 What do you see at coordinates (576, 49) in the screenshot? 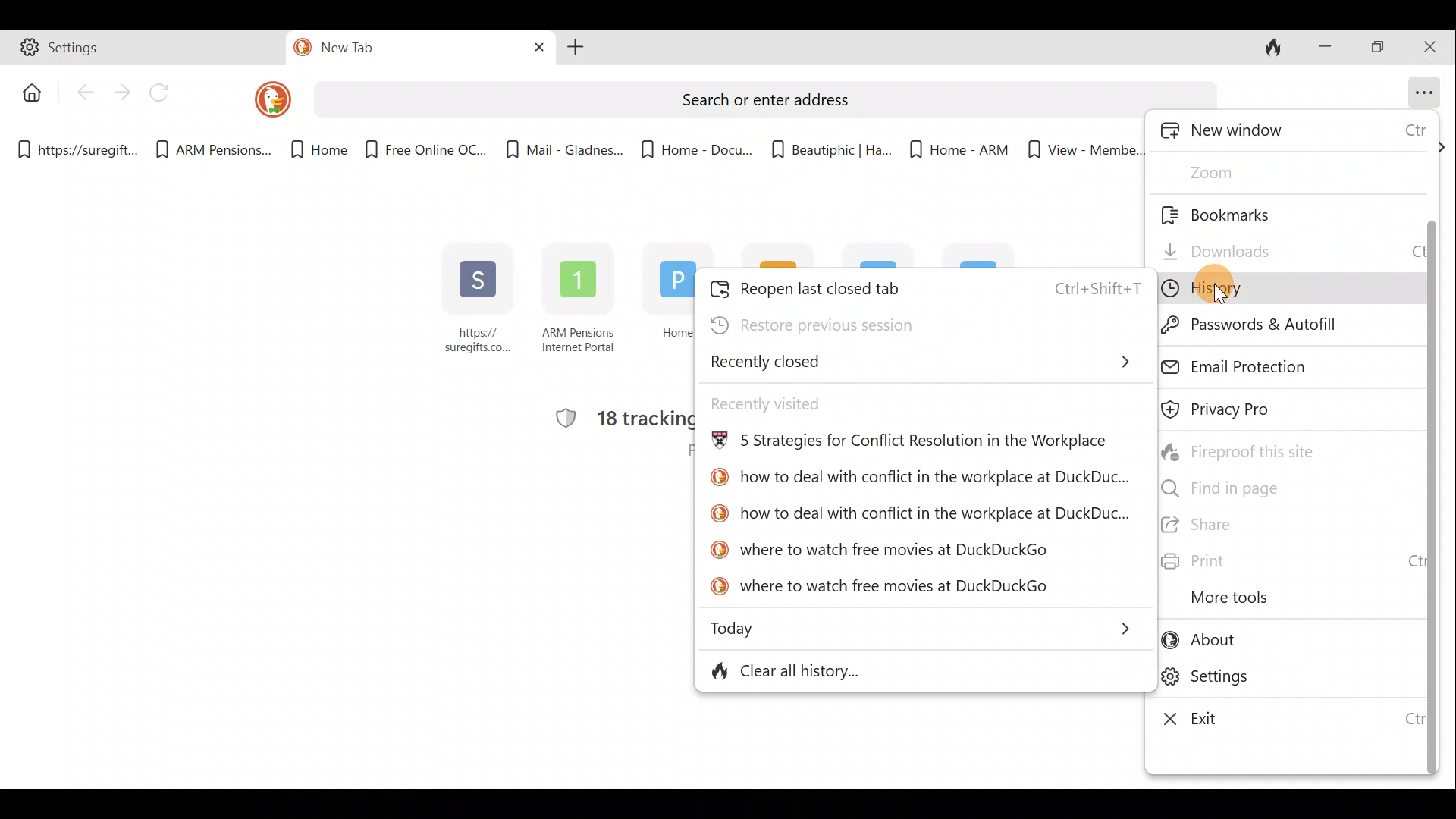
I see `Add tab` at bounding box center [576, 49].